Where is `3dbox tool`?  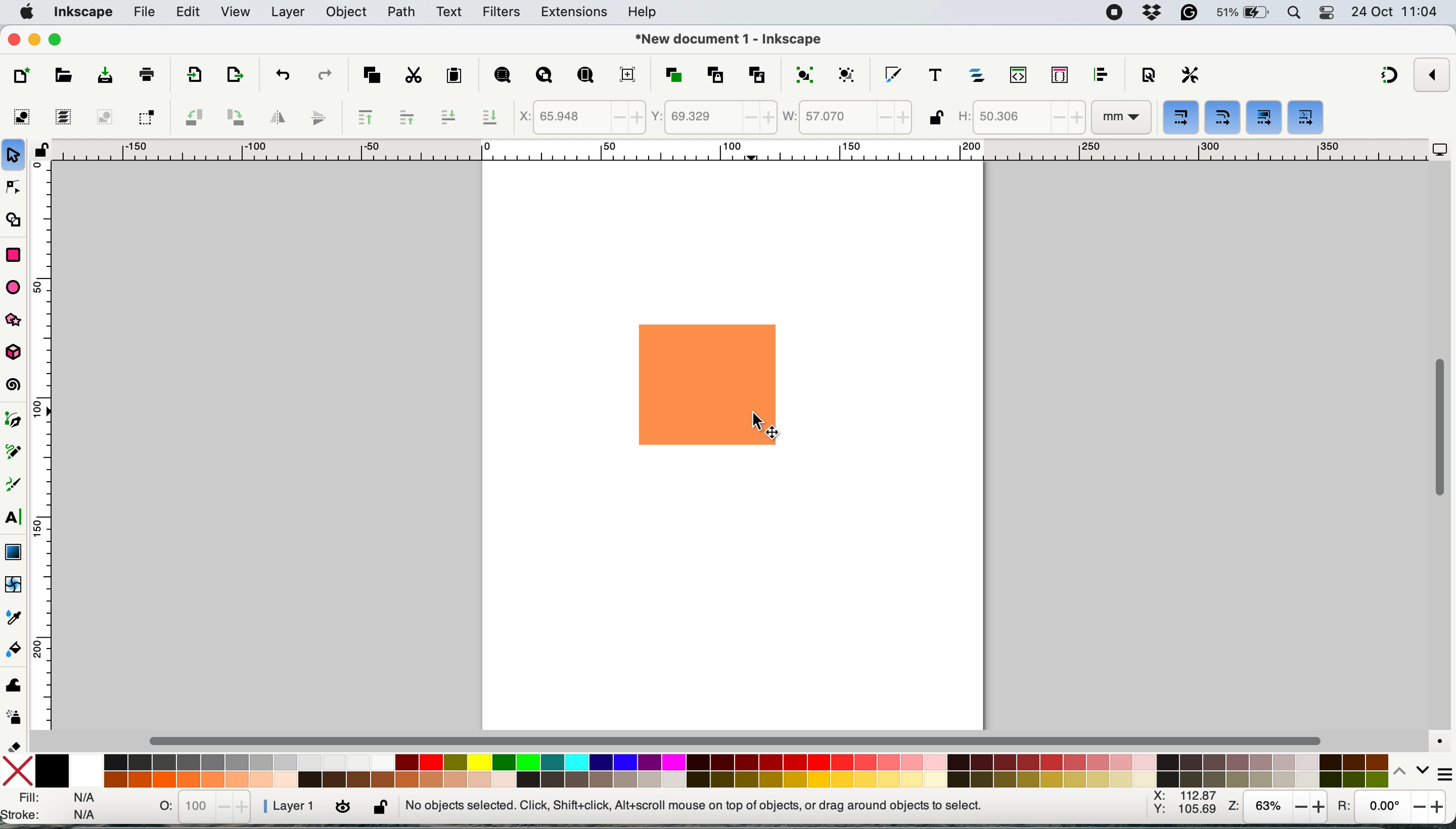
3dbox tool is located at coordinates (19, 353).